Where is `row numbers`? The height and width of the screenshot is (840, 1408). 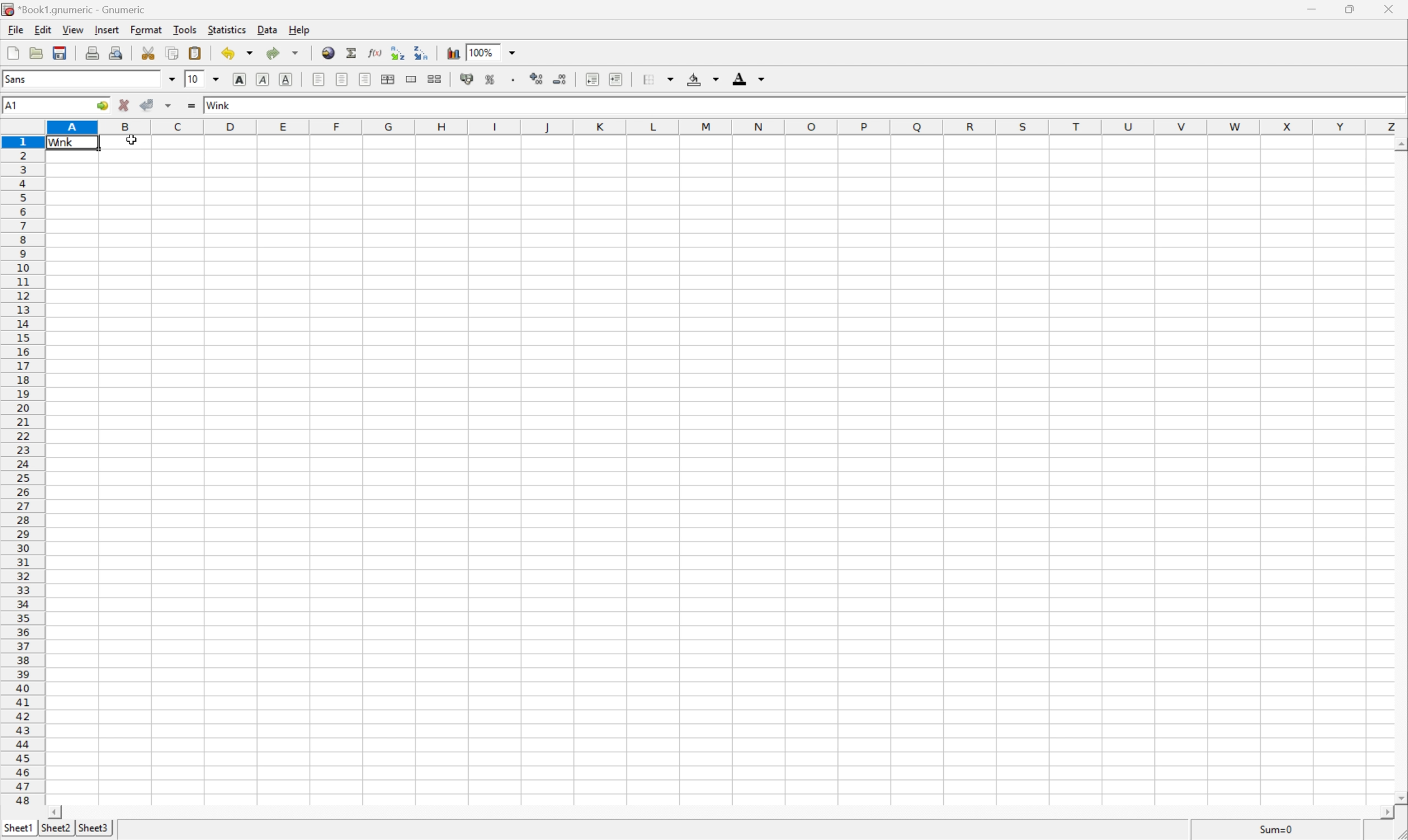
row numbers is located at coordinates (25, 474).